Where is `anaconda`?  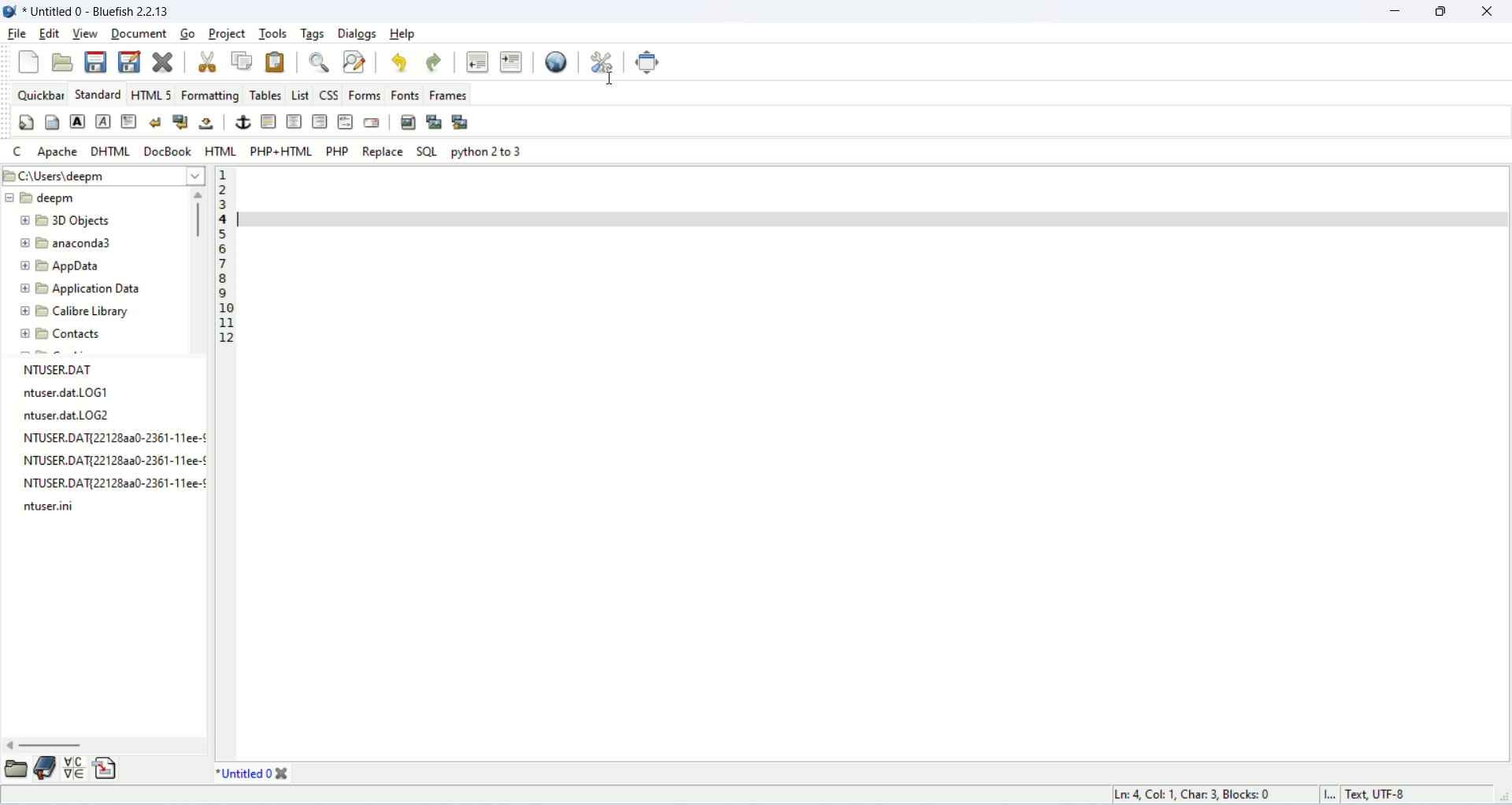 anaconda is located at coordinates (71, 243).